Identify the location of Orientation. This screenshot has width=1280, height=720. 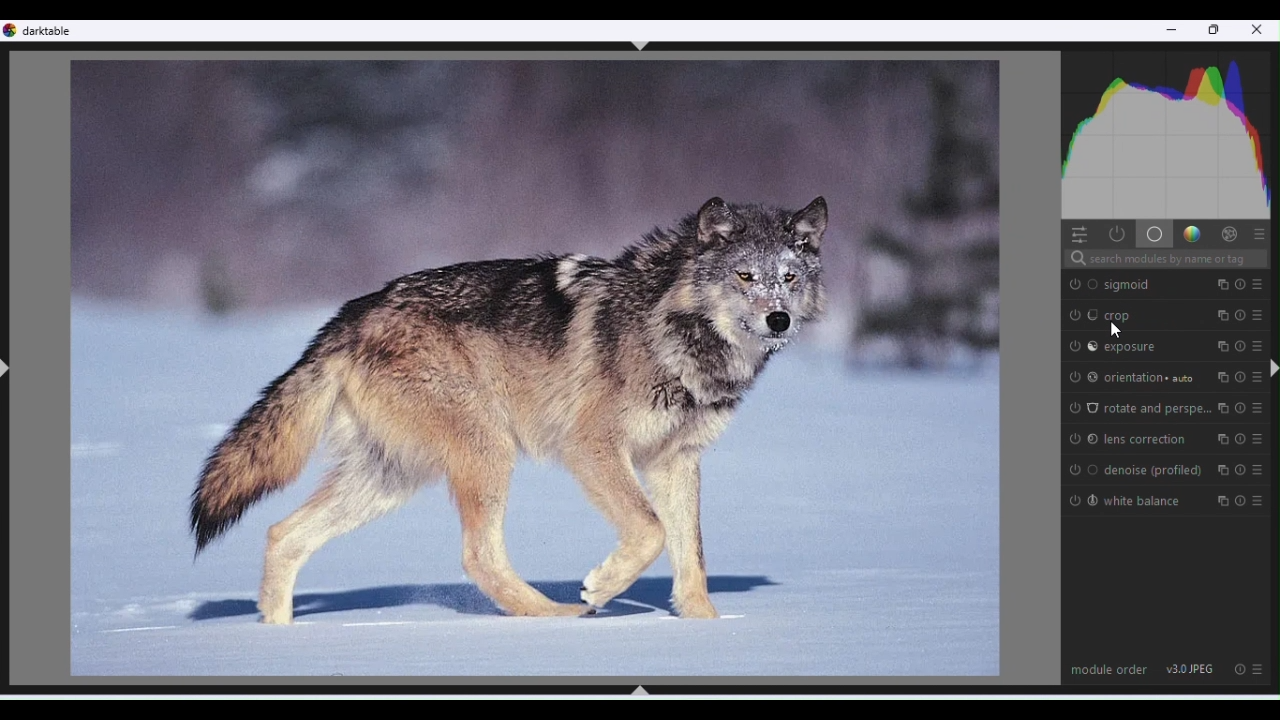
(1161, 375).